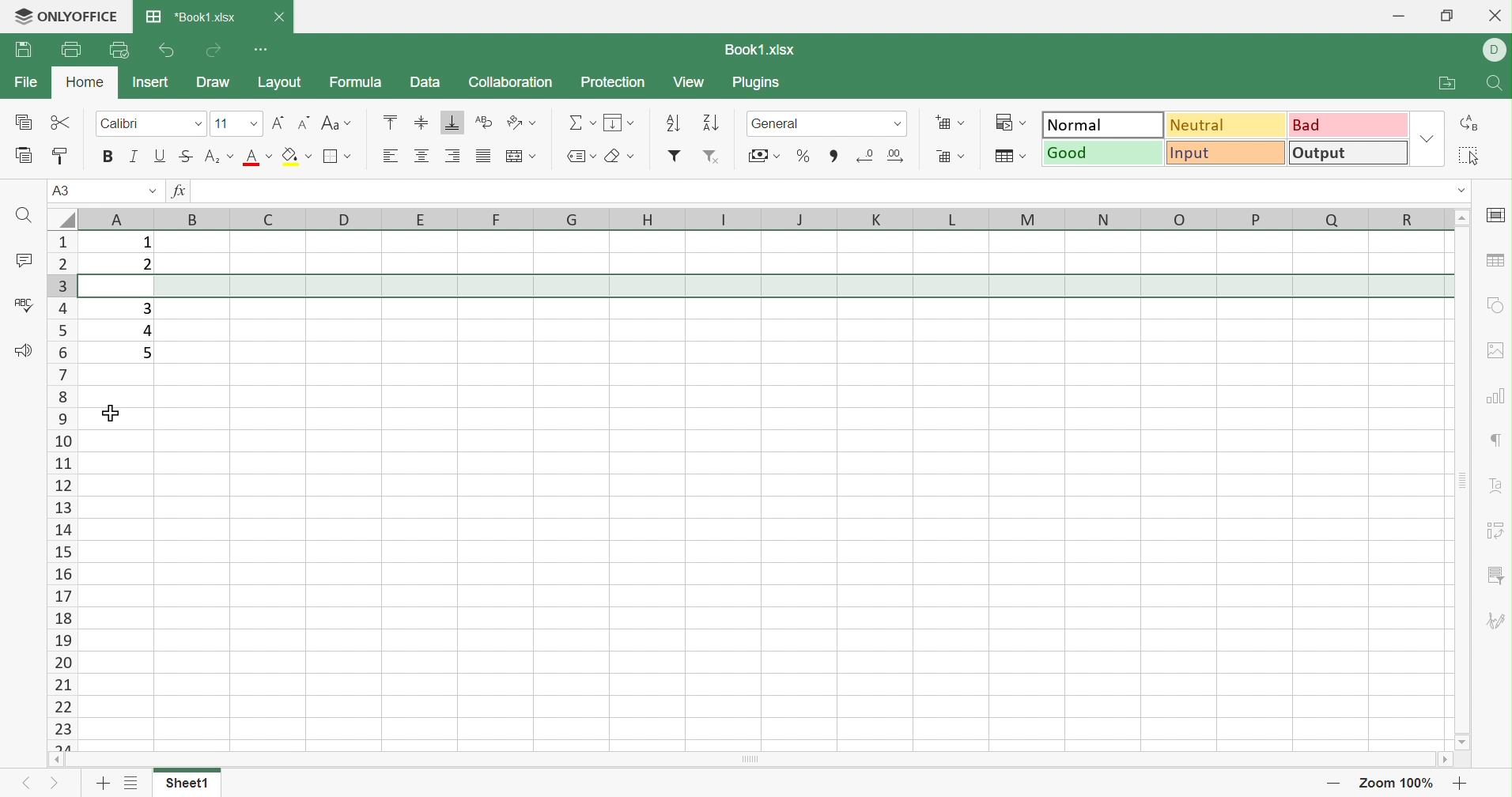 Image resolution: width=1512 pixels, height=797 pixels. I want to click on Zoom out, so click(1332, 784).